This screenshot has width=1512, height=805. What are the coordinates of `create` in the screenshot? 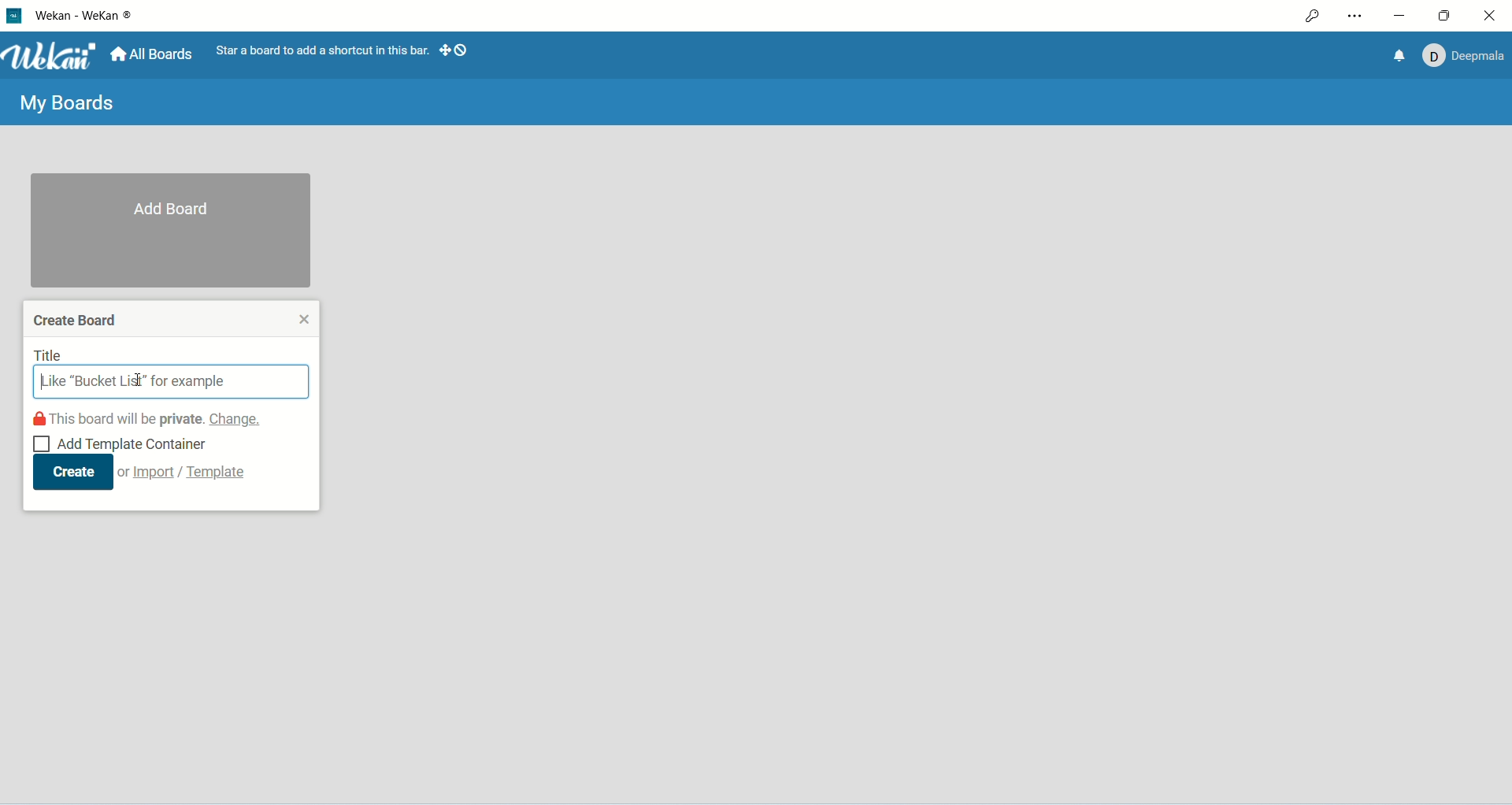 It's located at (72, 473).